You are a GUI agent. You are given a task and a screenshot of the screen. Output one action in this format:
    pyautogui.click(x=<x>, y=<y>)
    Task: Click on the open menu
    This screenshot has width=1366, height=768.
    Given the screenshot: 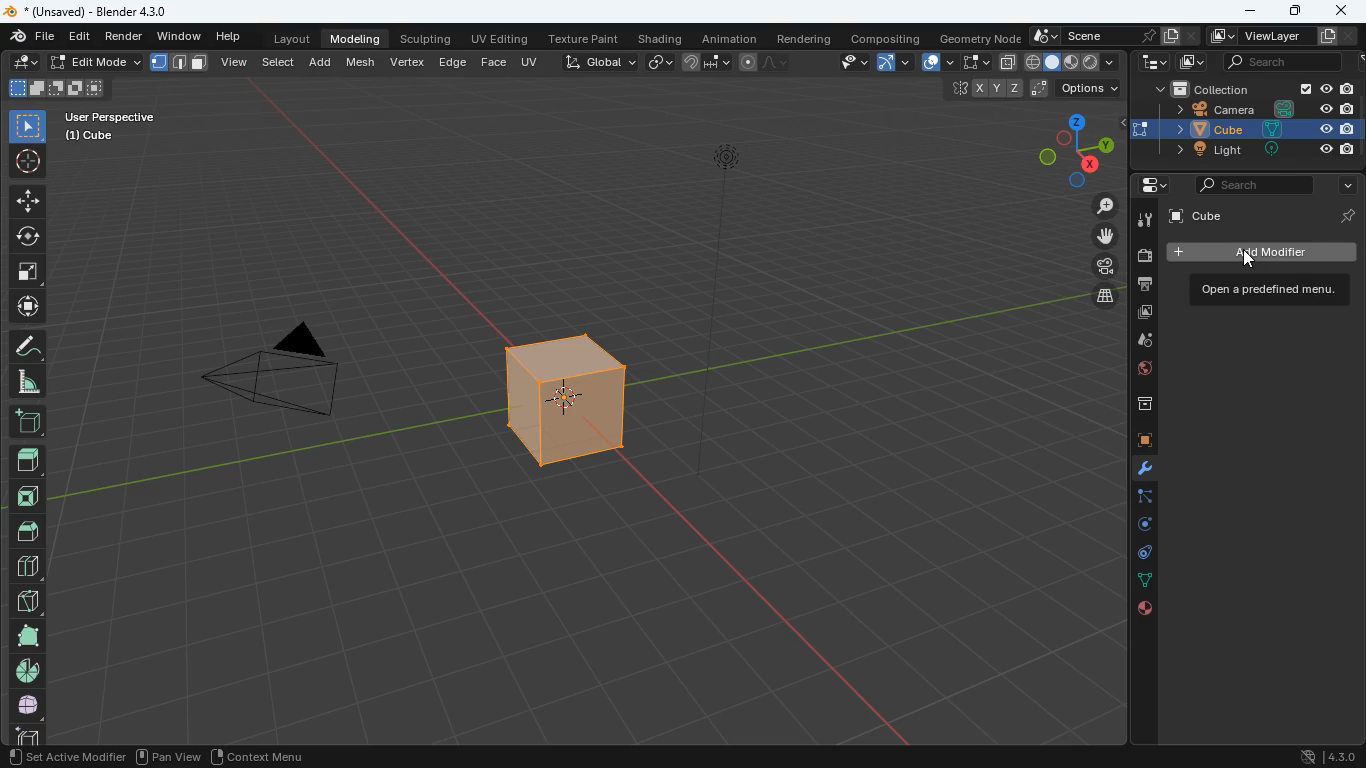 What is the action you would take?
    pyautogui.click(x=1267, y=291)
    